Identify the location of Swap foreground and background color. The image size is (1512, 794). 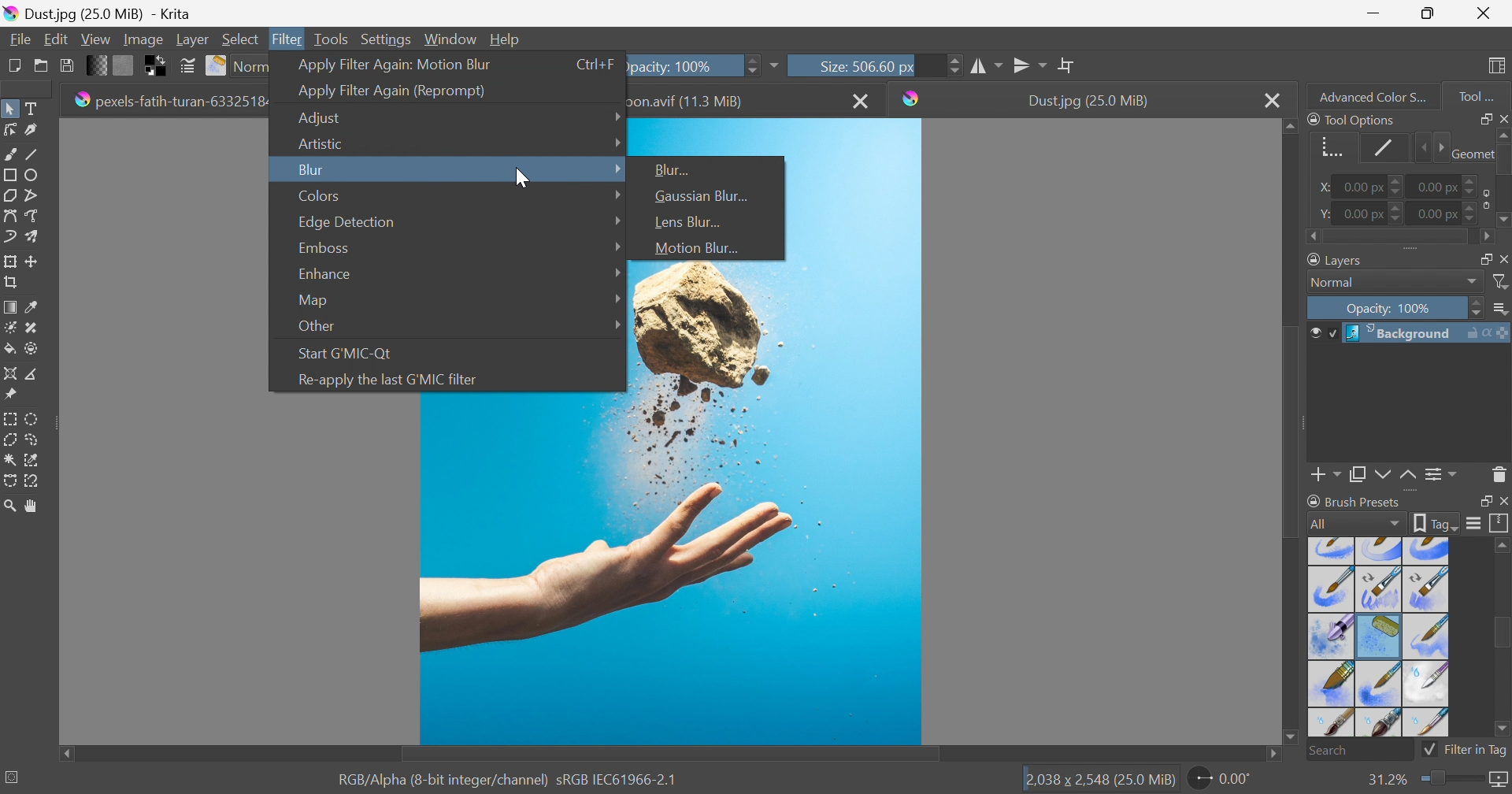
(158, 66).